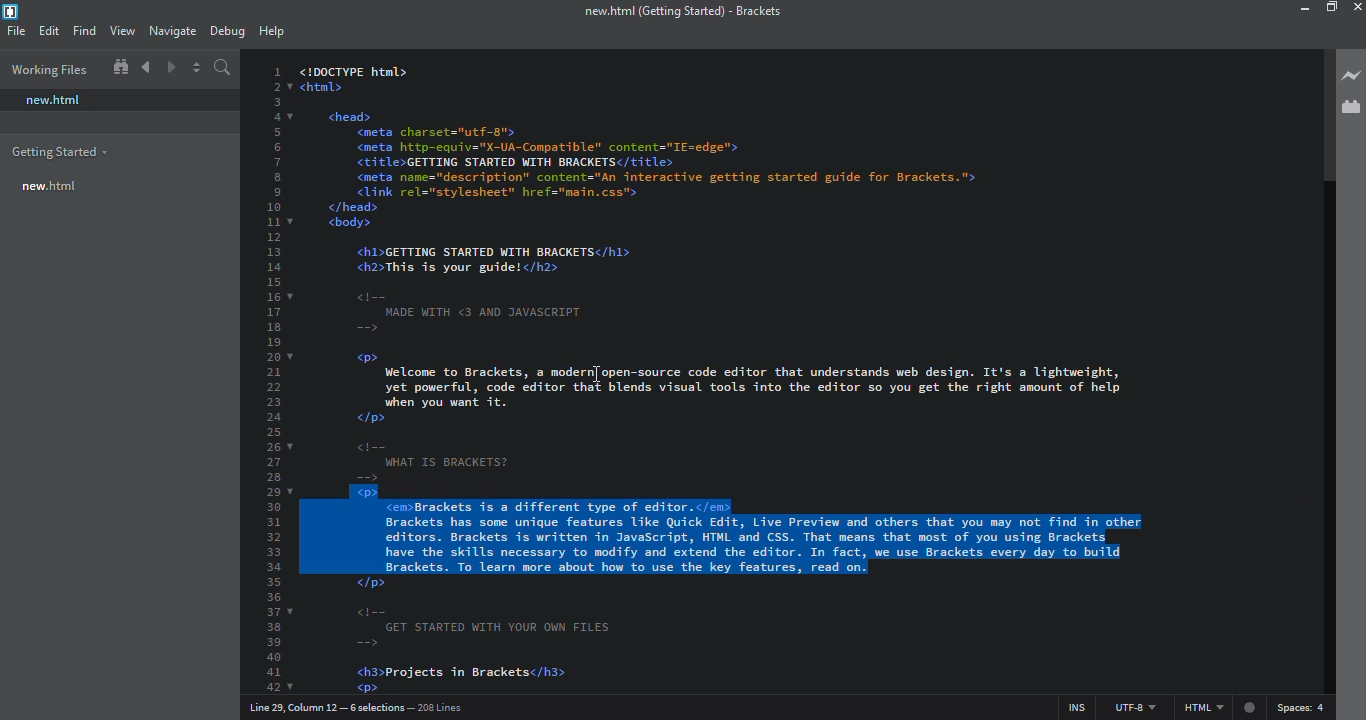  I want to click on cursor, so click(595, 373).